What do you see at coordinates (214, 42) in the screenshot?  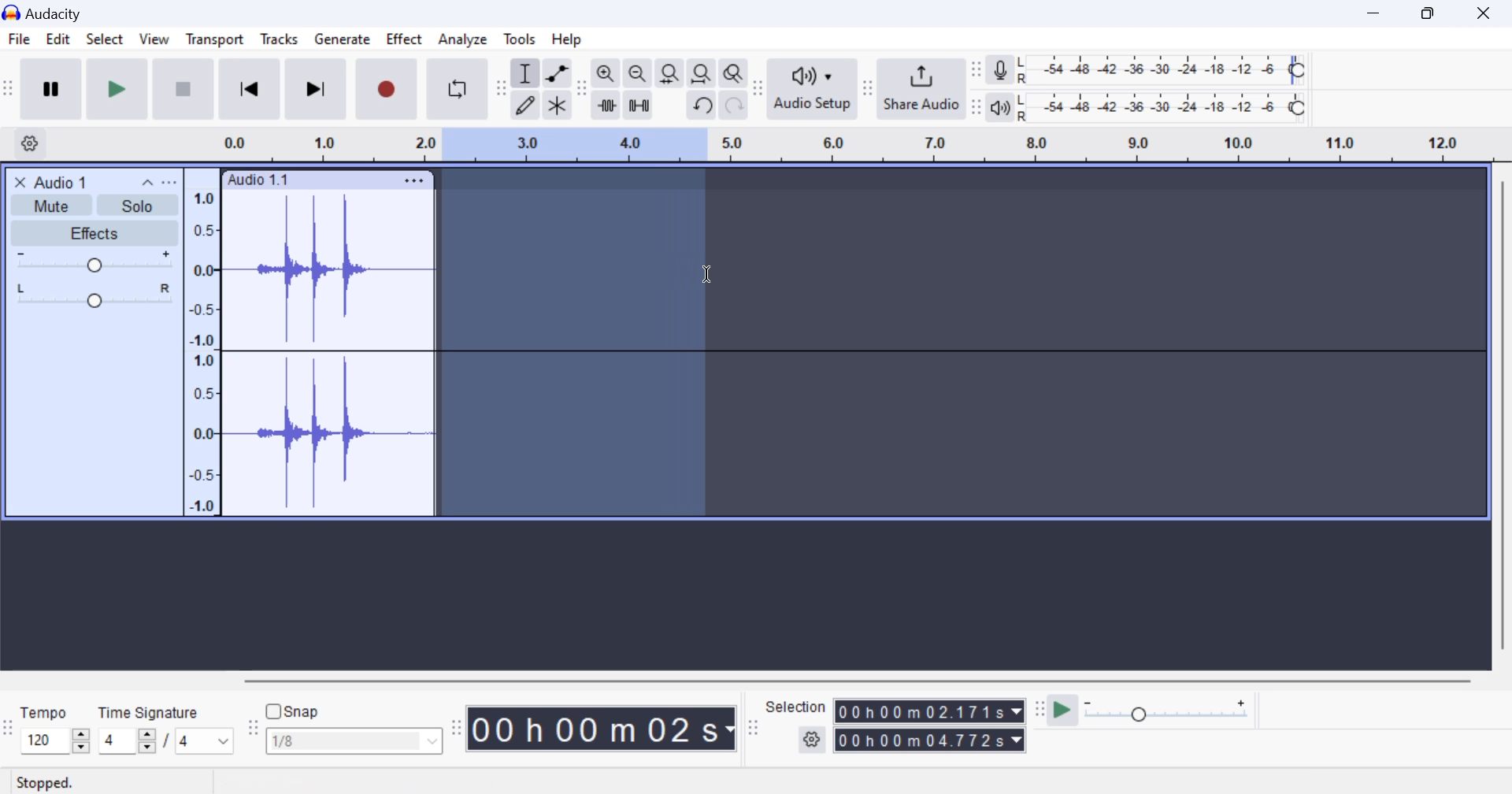 I see `Transport` at bounding box center [214, 42].